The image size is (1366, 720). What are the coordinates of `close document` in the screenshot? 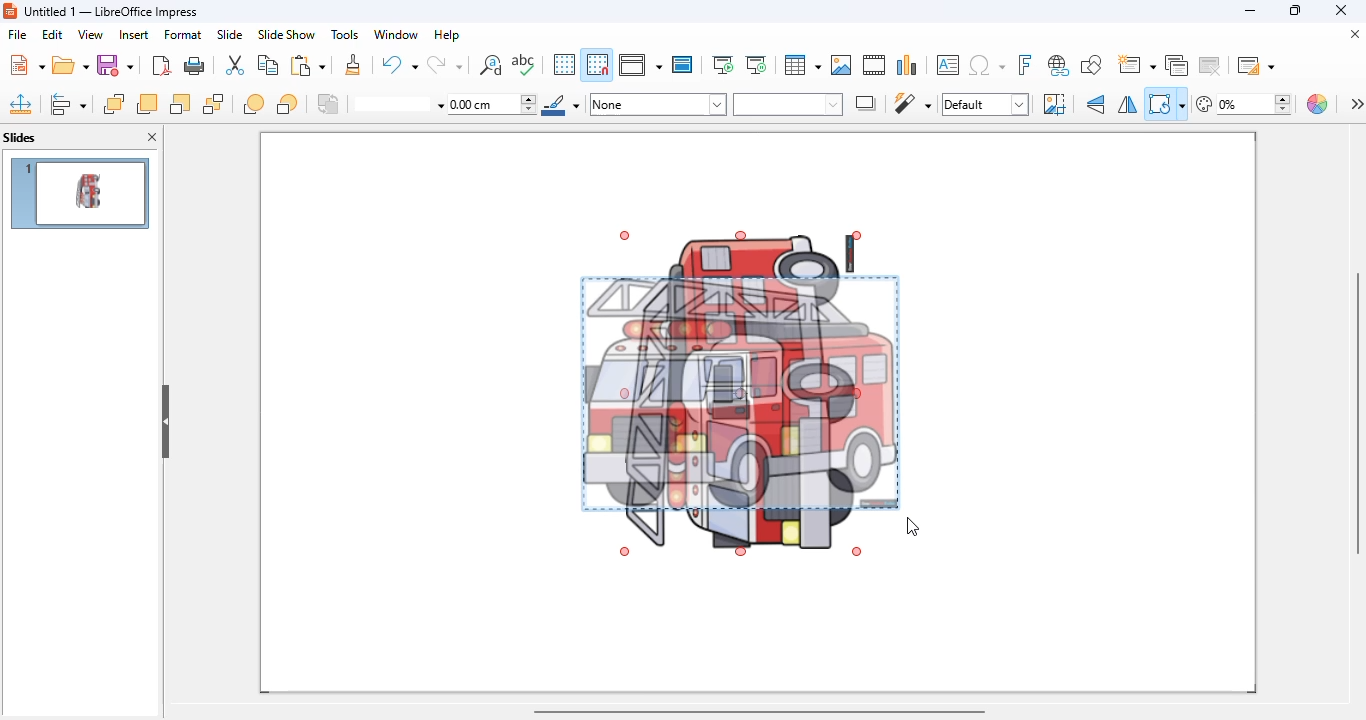 It's located at (1354, 33).